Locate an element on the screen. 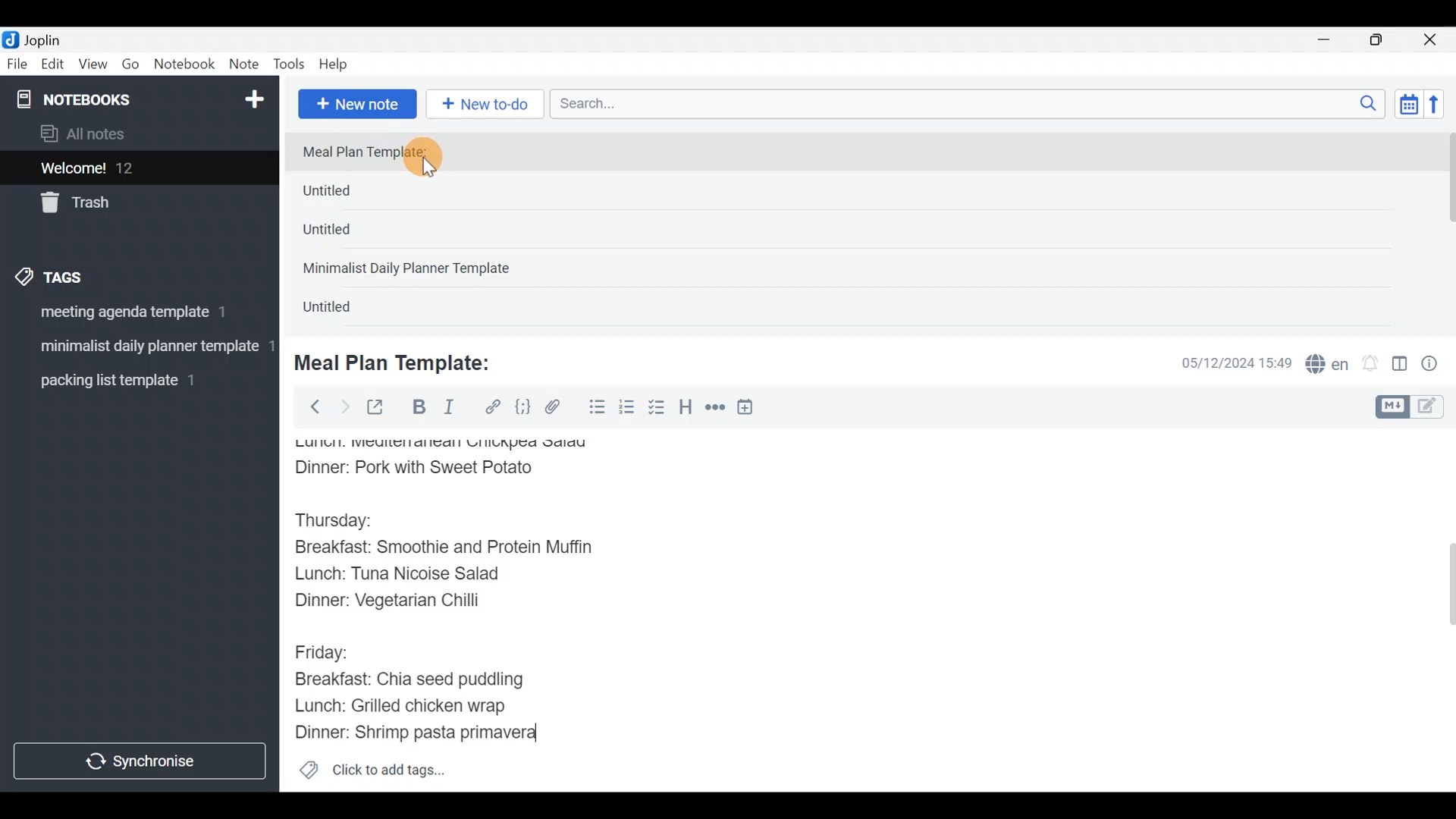 Image resolution: width=1456 pixels, height=819 pixels. Dinner: Shrimp pasta primavera is located at coordinates (431, 734).